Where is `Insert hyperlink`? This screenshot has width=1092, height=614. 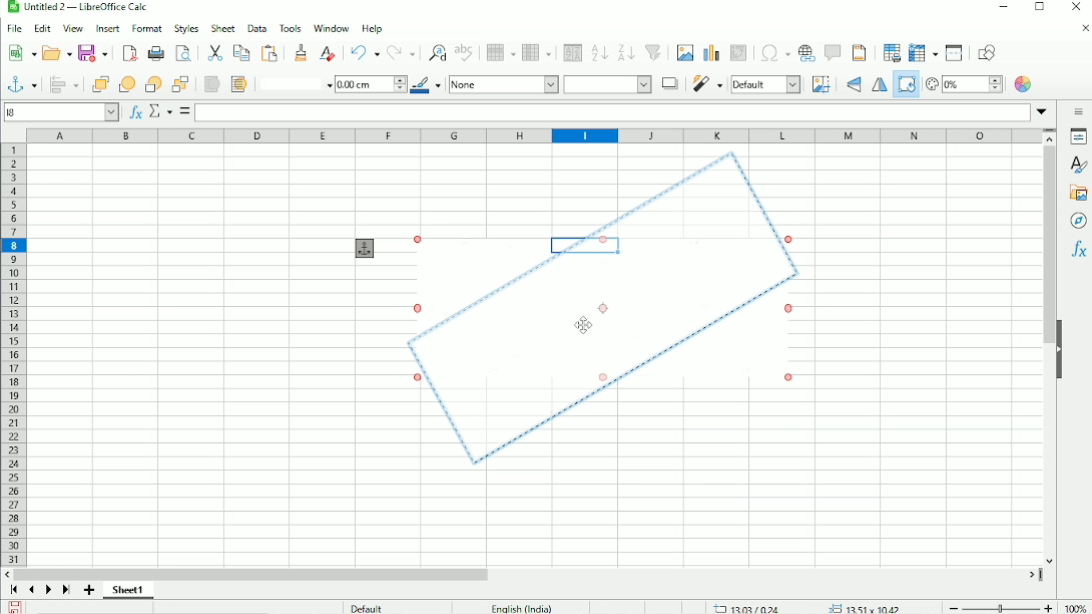
Insert hyperlink is located at coordinates (806, 53).